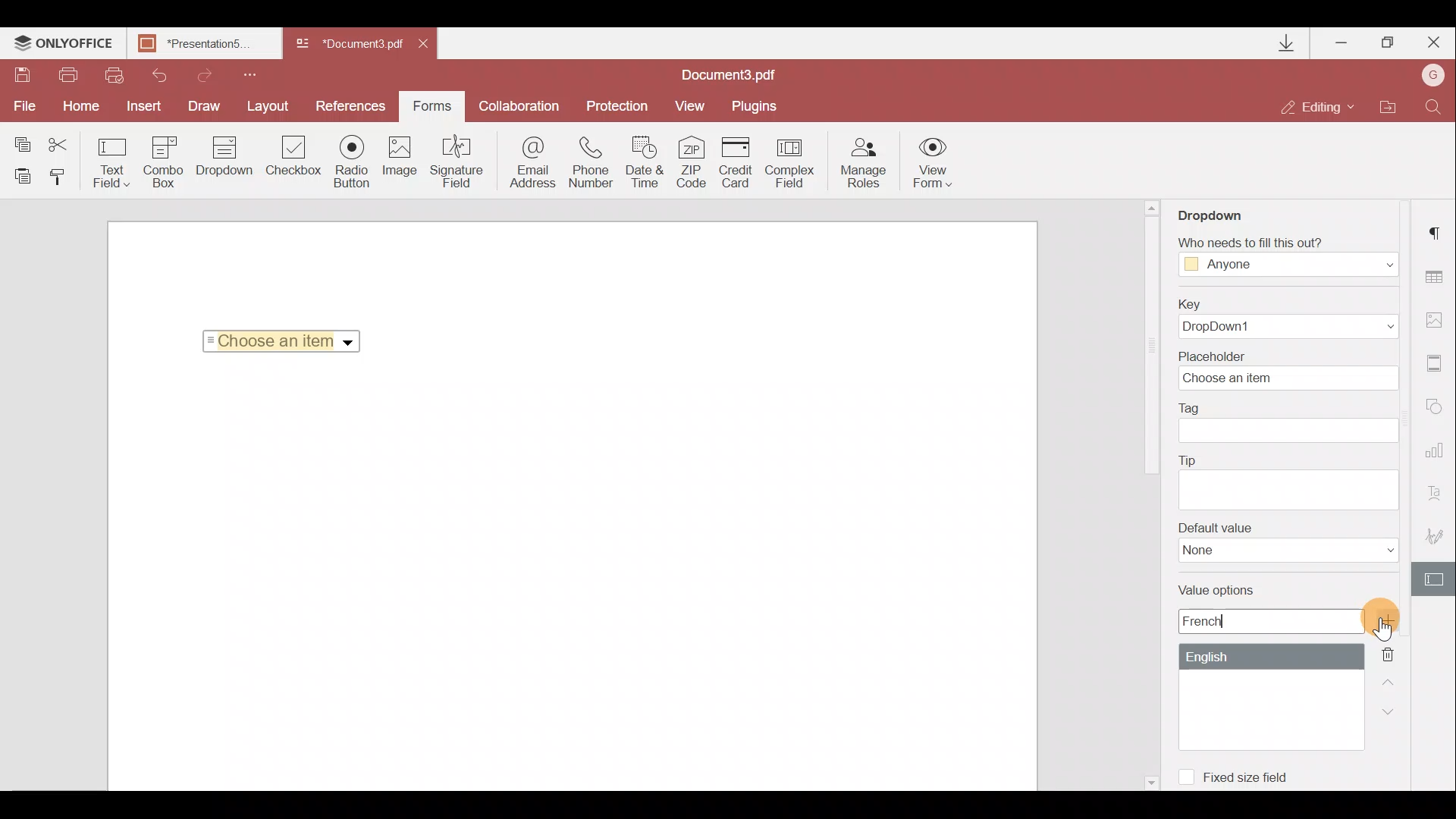  What do you see at coordinates (1429, 77) in the screenshot?
I see `Account name` at bounding box center [1429, 77].